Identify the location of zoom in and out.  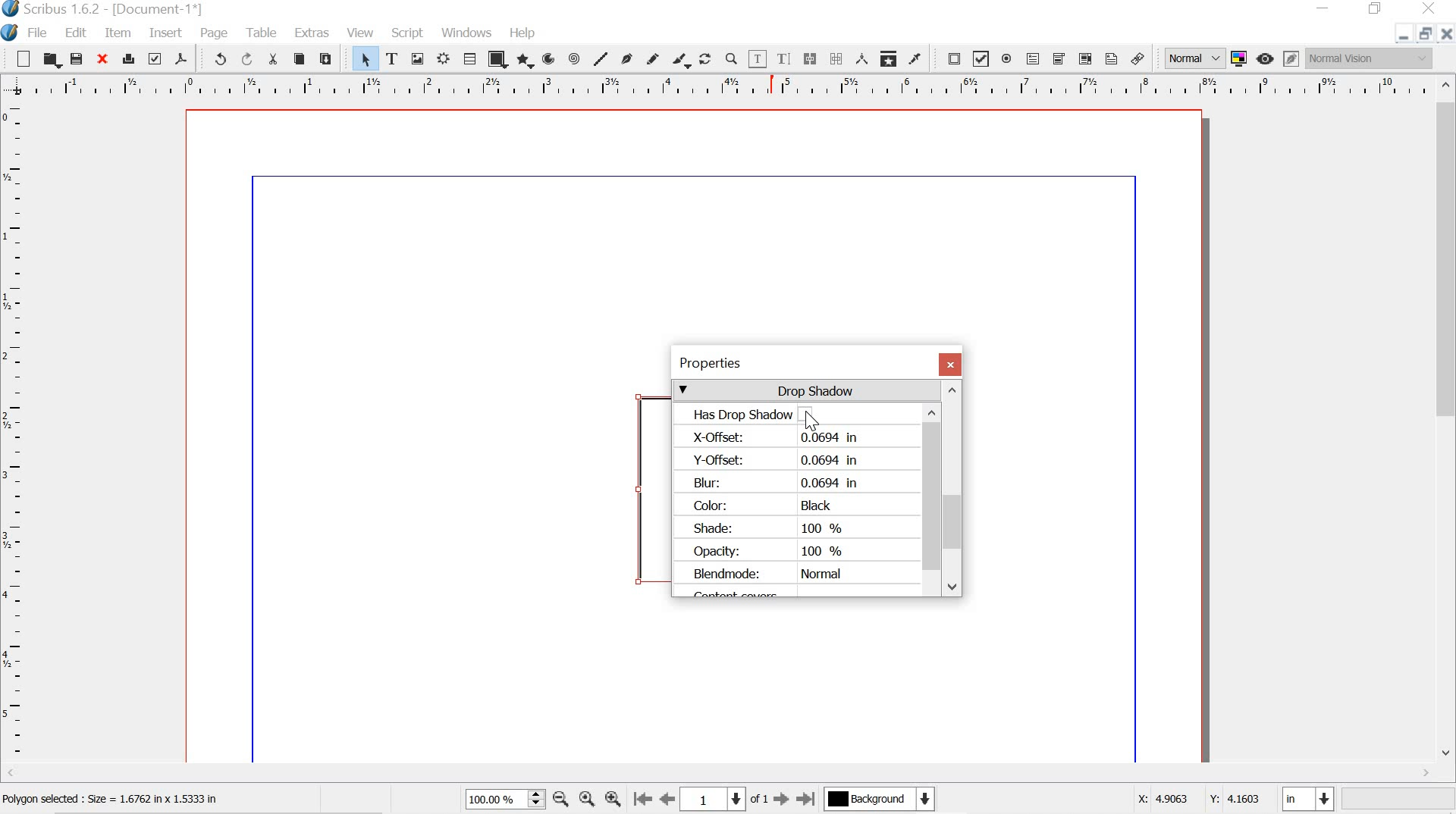
(537, 799).